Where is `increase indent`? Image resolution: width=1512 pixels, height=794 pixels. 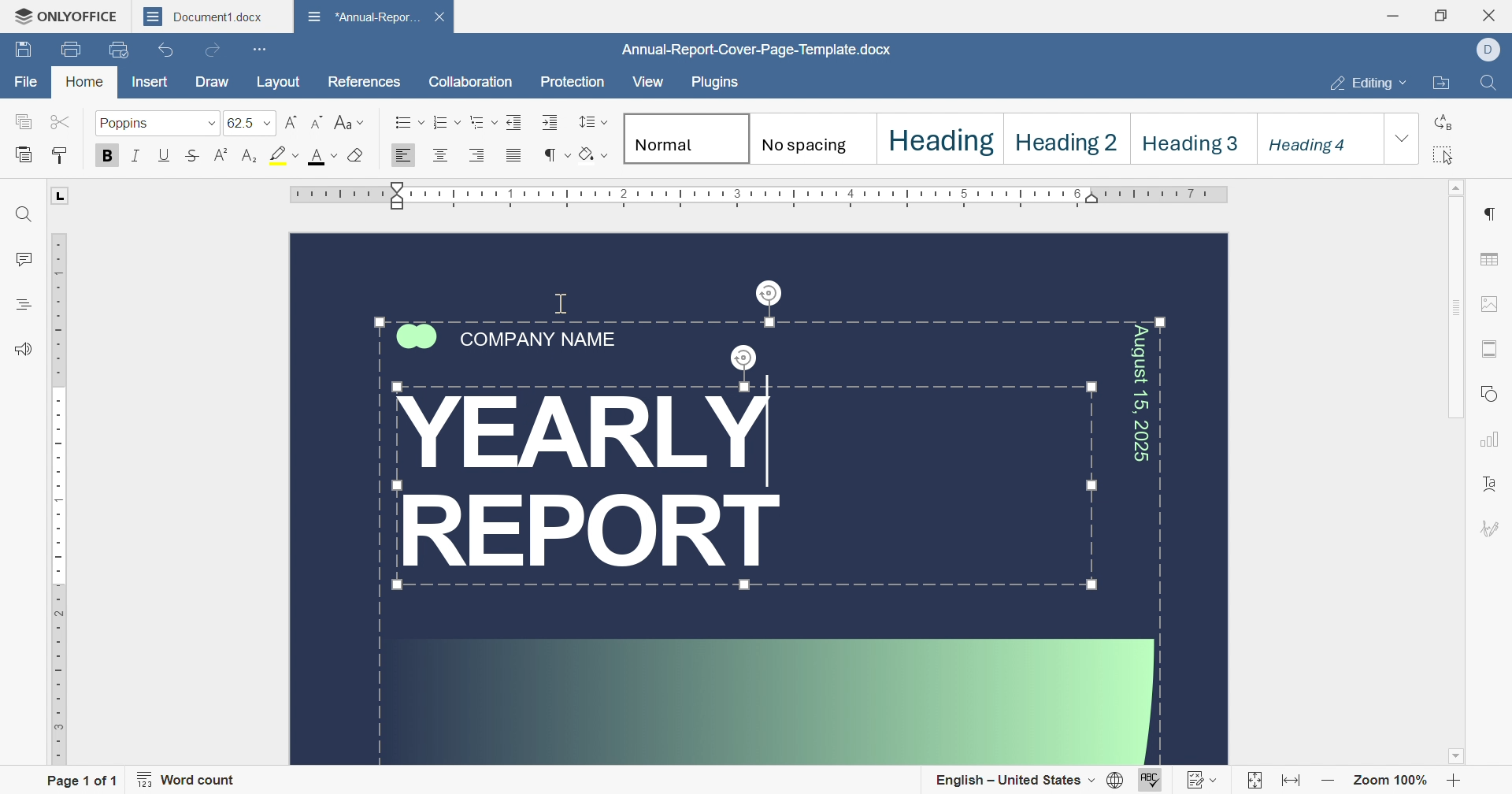
increase indent is located at coordinates (550, 121).